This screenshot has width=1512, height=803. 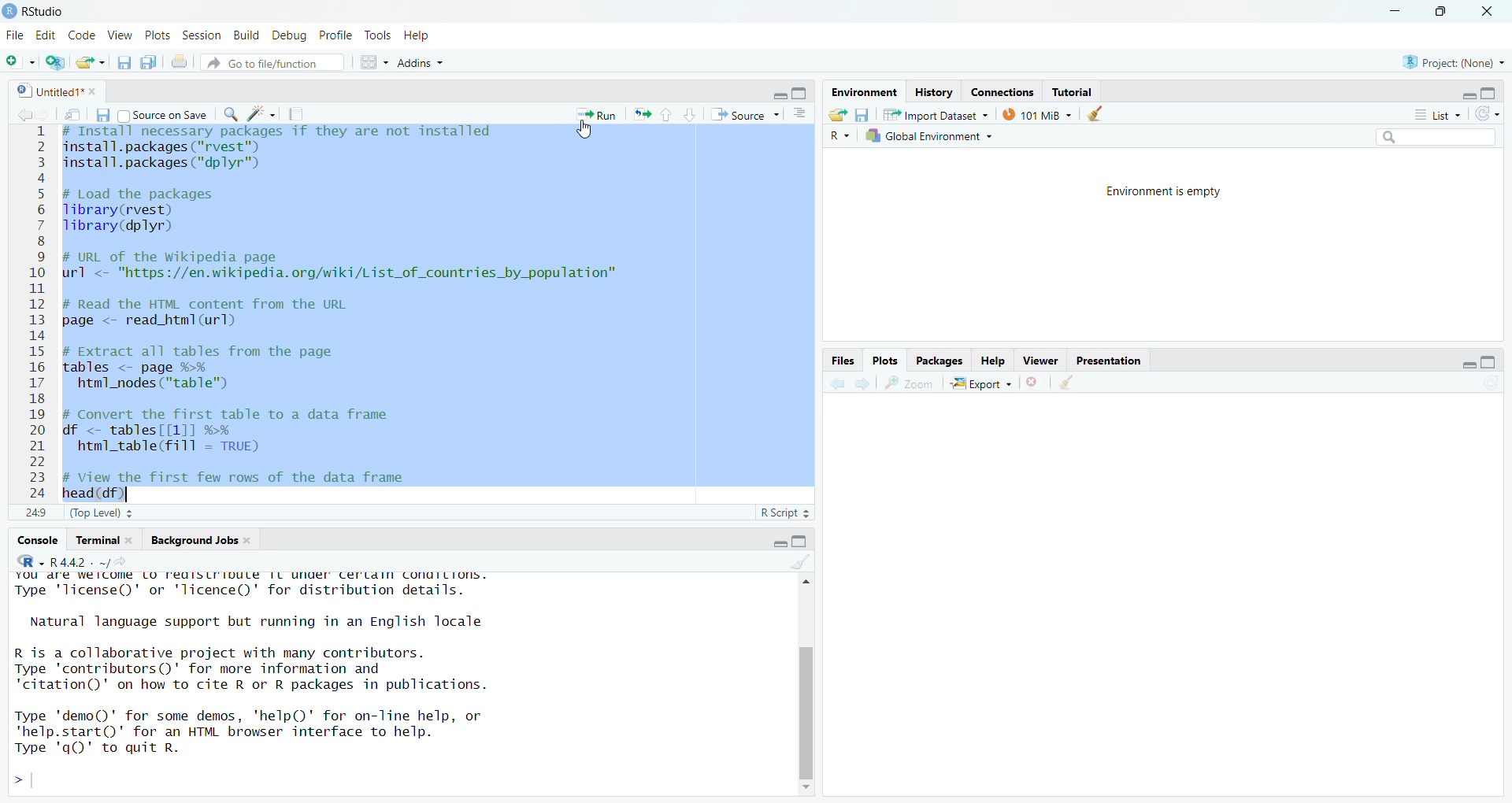 What do you see at coordinates (884, 360) in the screenshot?
I see `Plots` at bounding box center [884, 360].